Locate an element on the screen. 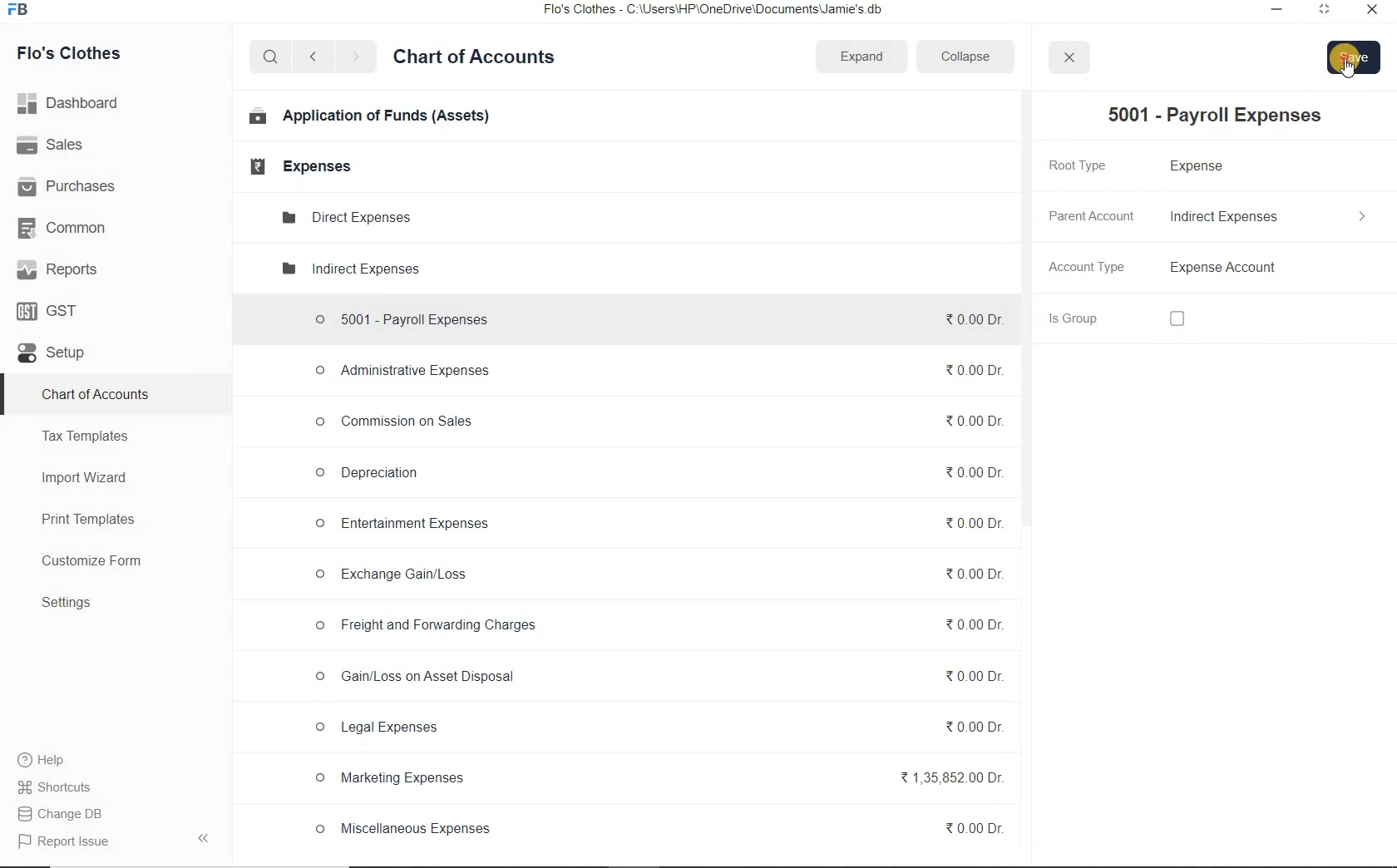  © Gain/Loss on Asset Disposal %0.00Dr. is located at coordinates (656, 679).